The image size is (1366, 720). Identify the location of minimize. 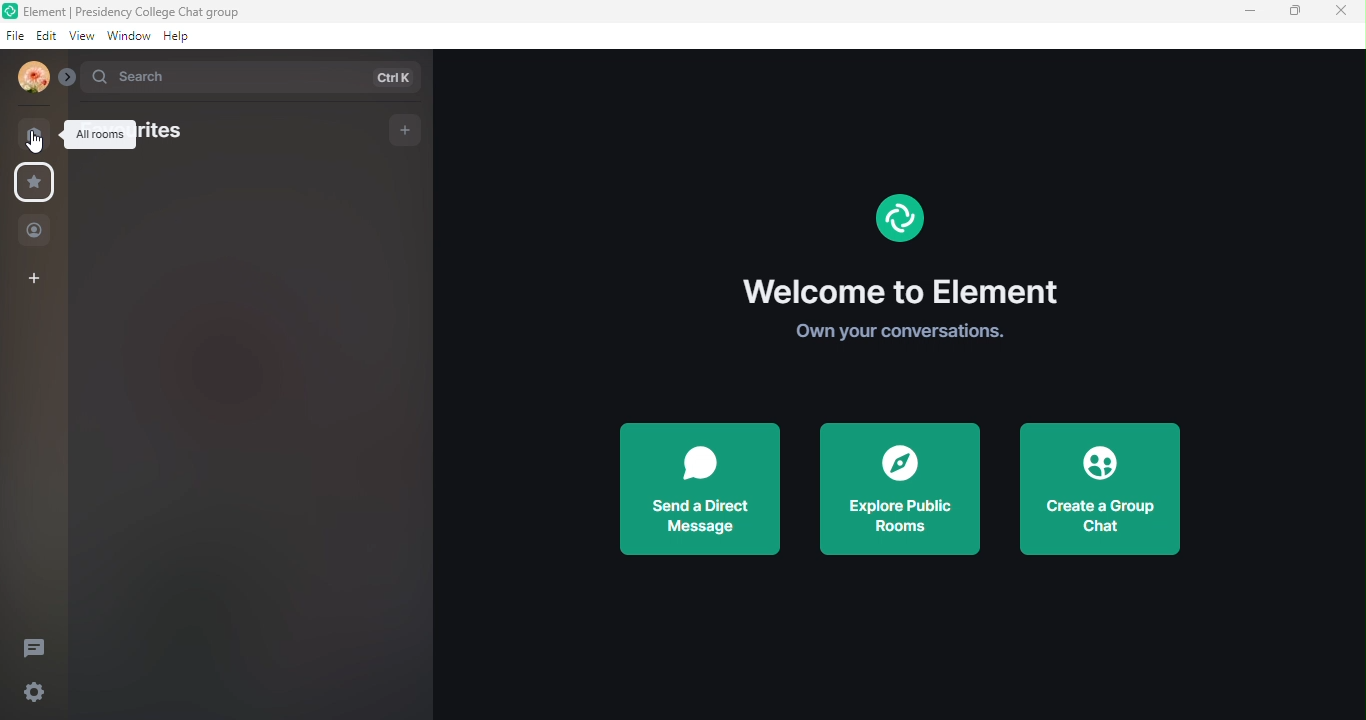
(1252, 13).